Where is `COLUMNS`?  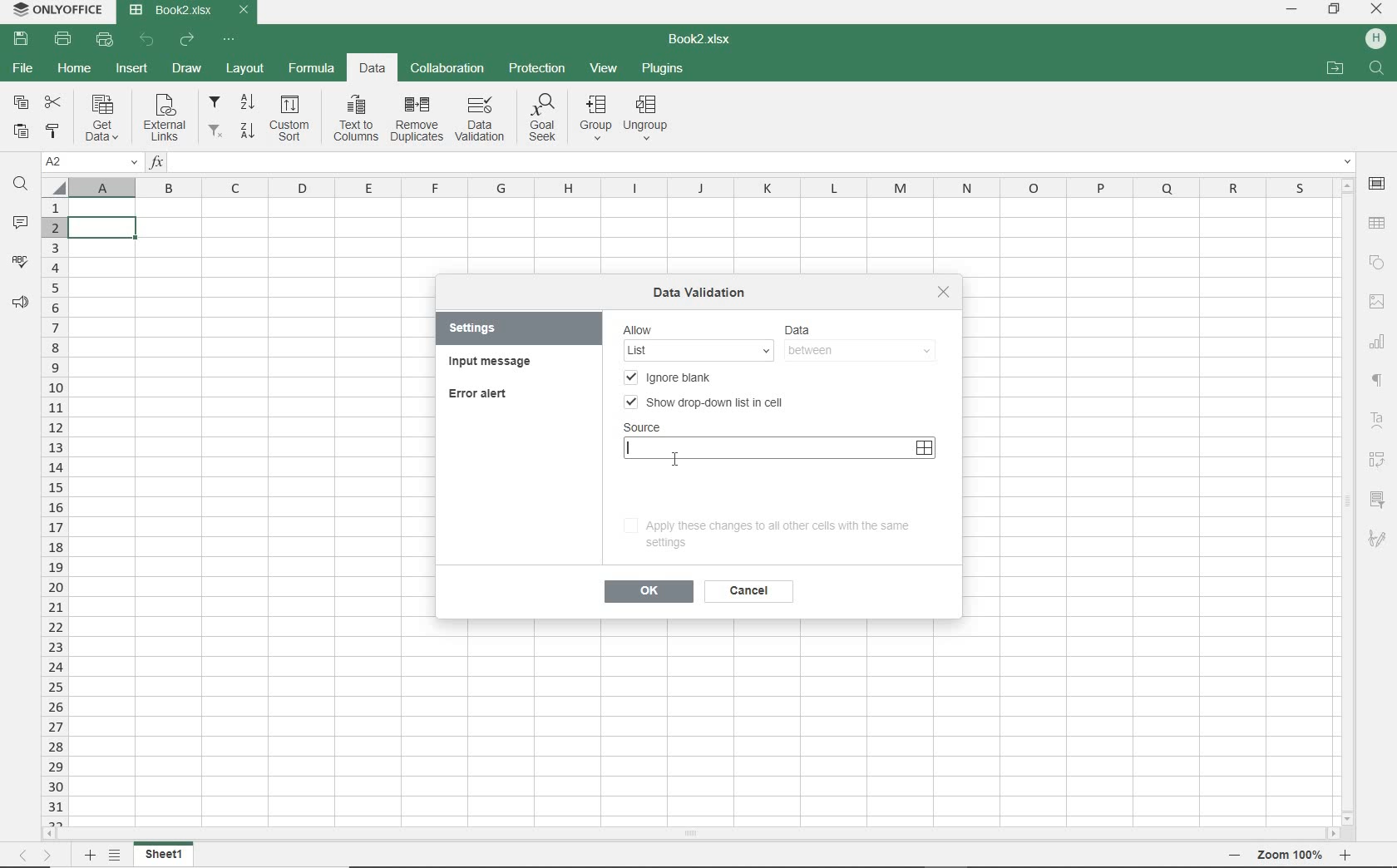
COLUMNS is located at coordinates (701, 186).